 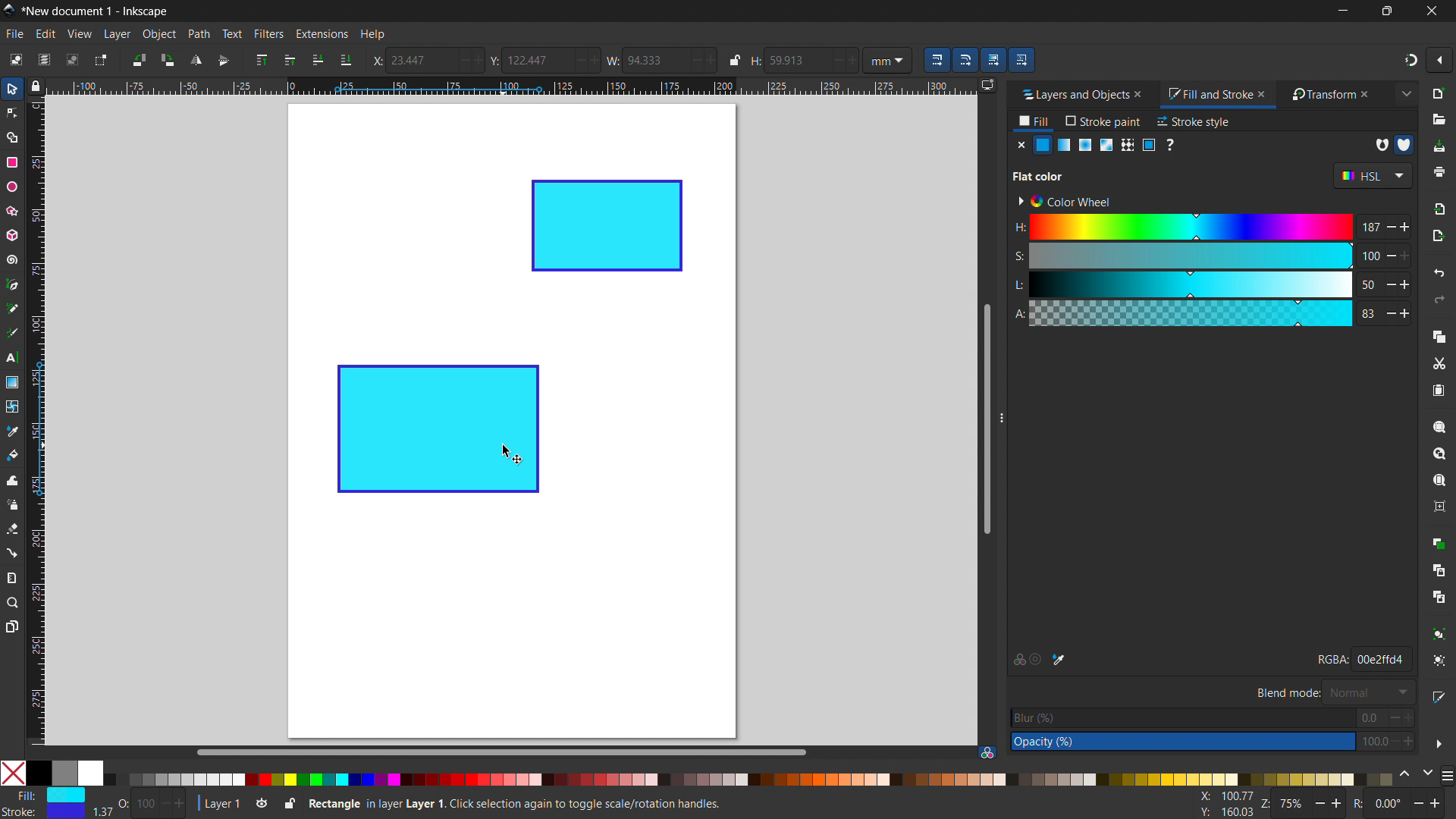 I want to click on ellipse tool, so click(x=11, y=186).